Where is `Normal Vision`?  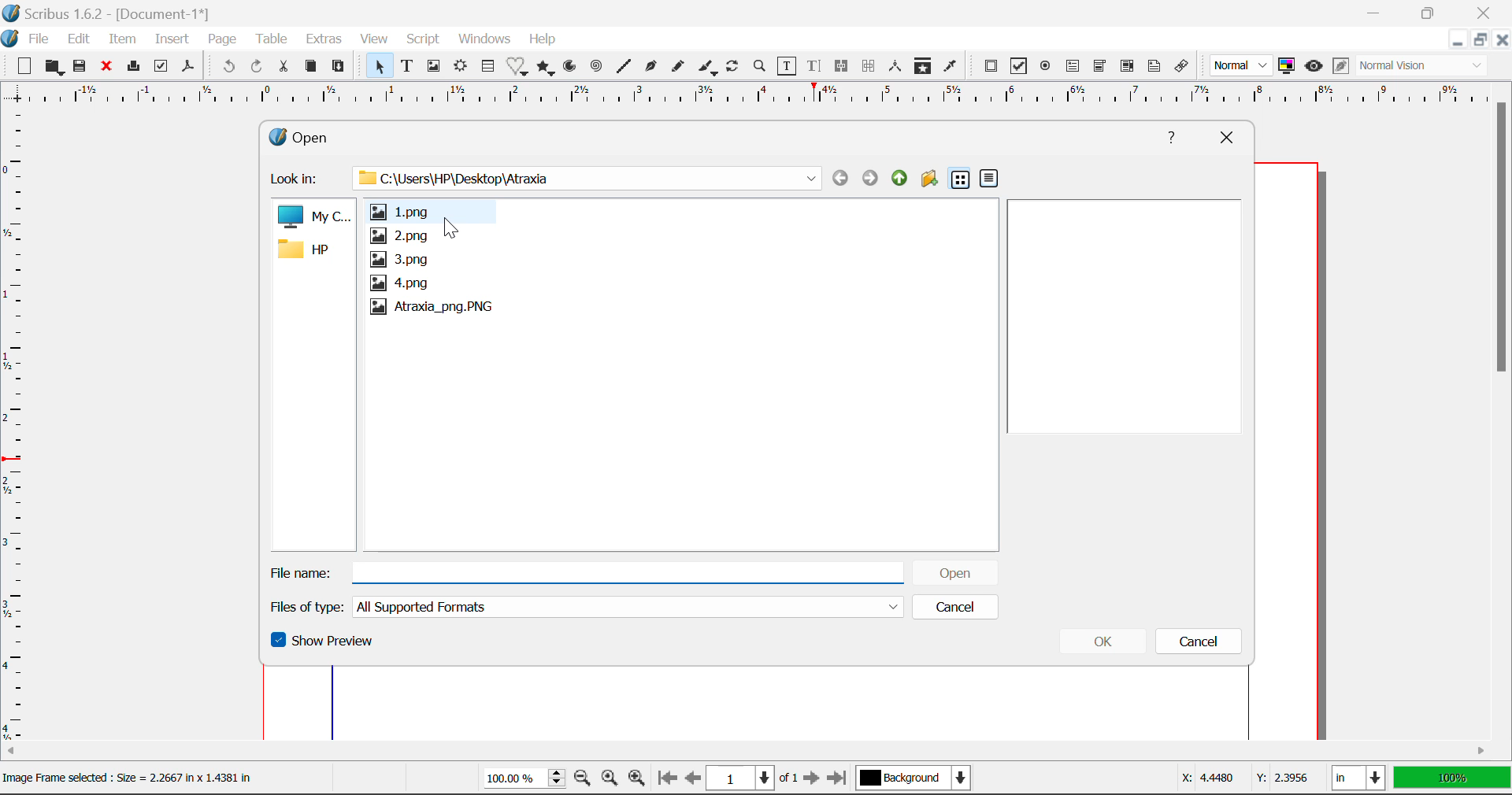 Normal Vision is located at coordinates (1424, 67).